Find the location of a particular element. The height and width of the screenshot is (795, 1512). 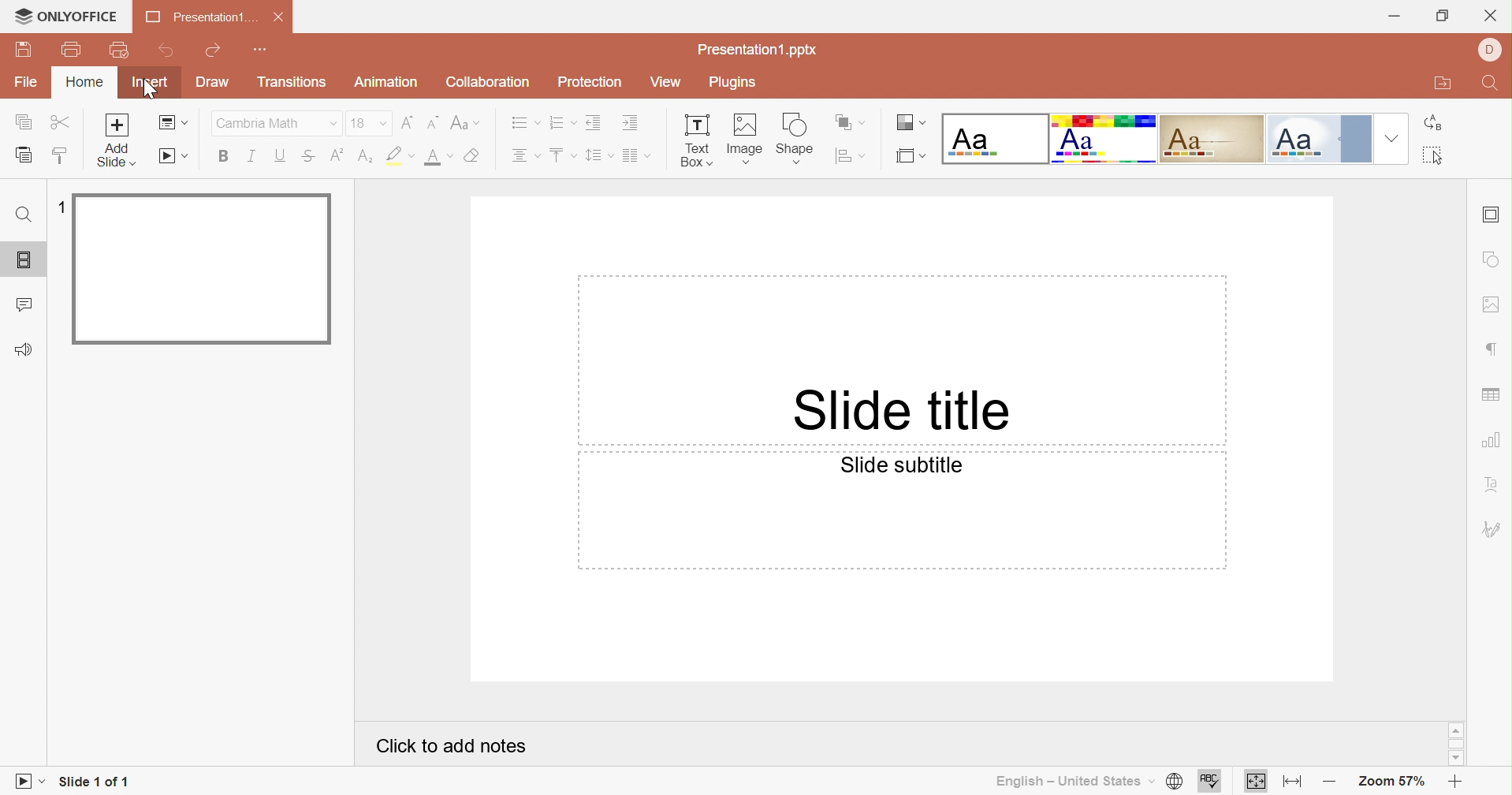

Zoom out is located at coordinates (1329, 778).